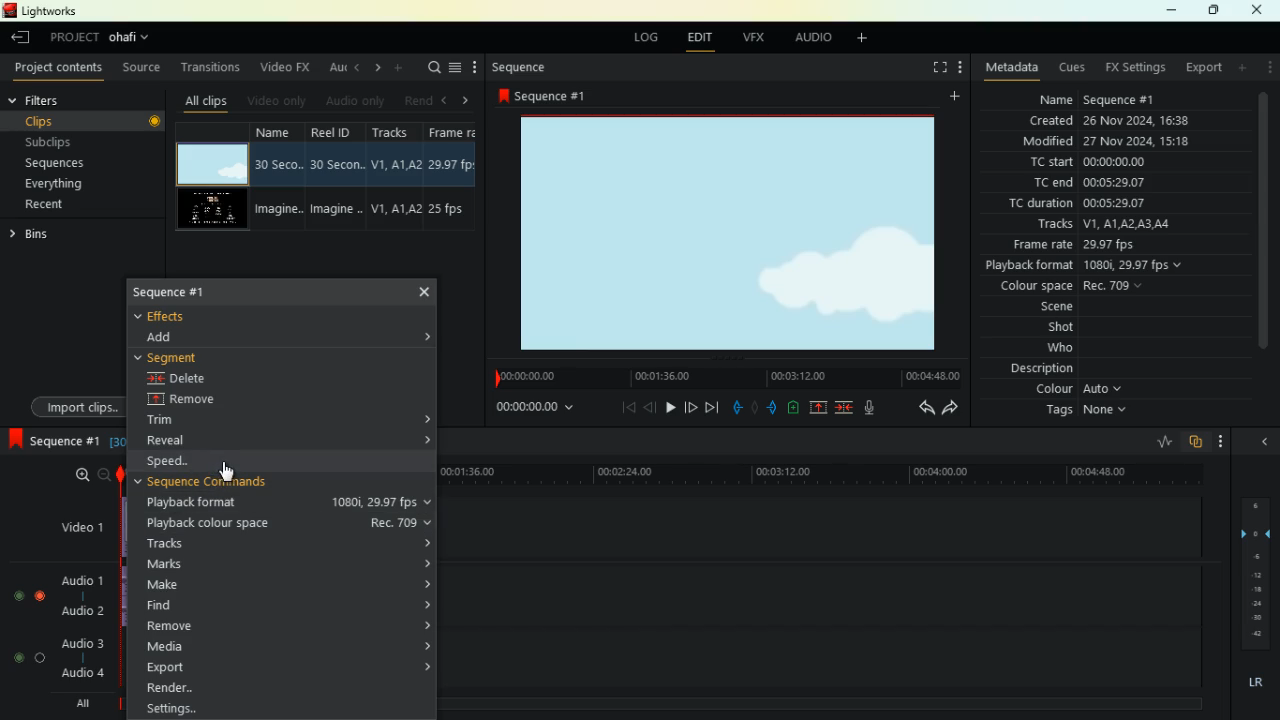 The image size is (1280, 720). What do you see at coordinates (290, 545) in the screenshot?
I see `tracks` at bounding box center [290, 545].